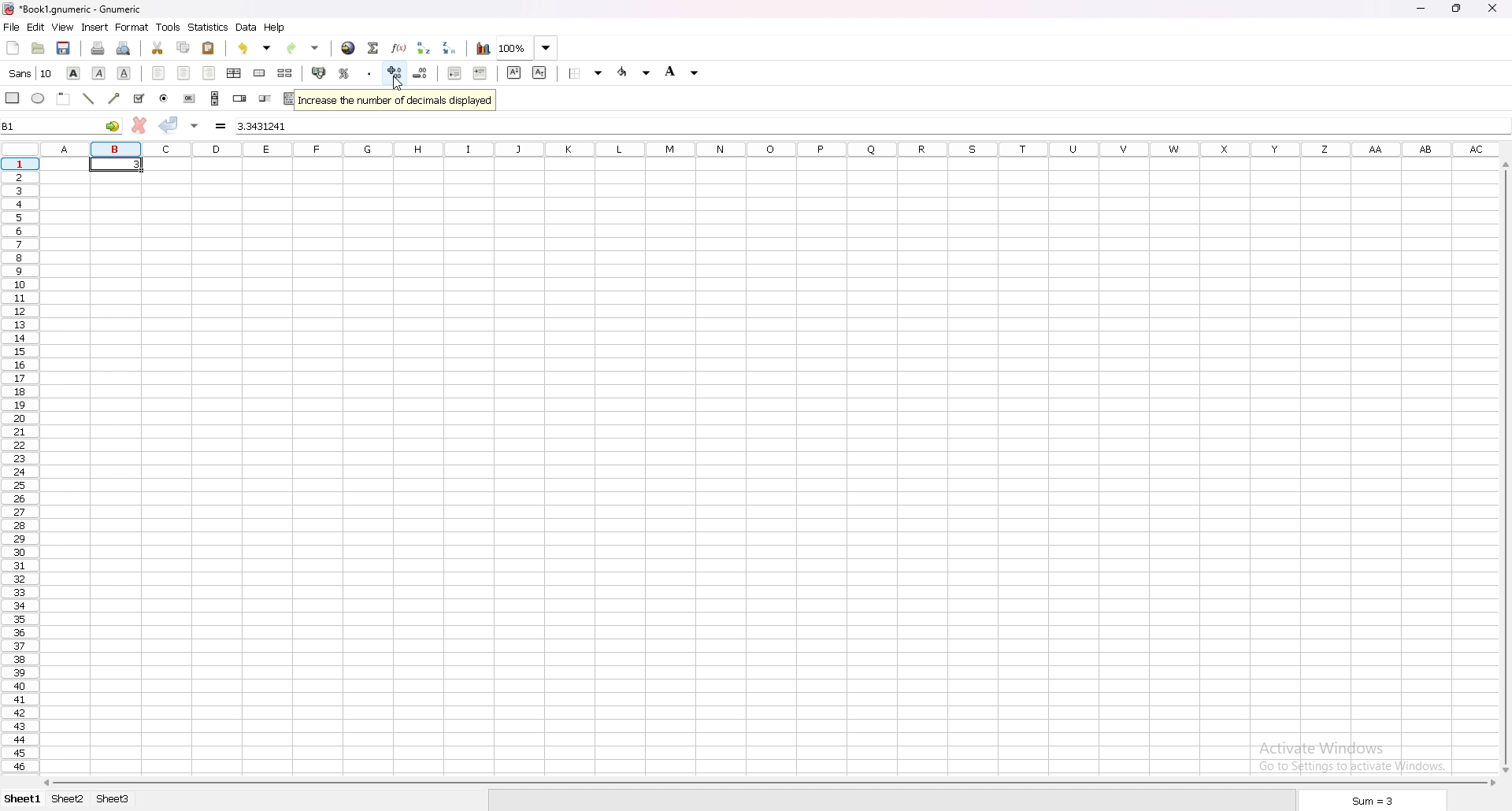  I want to click on slider, so click(268, 98).